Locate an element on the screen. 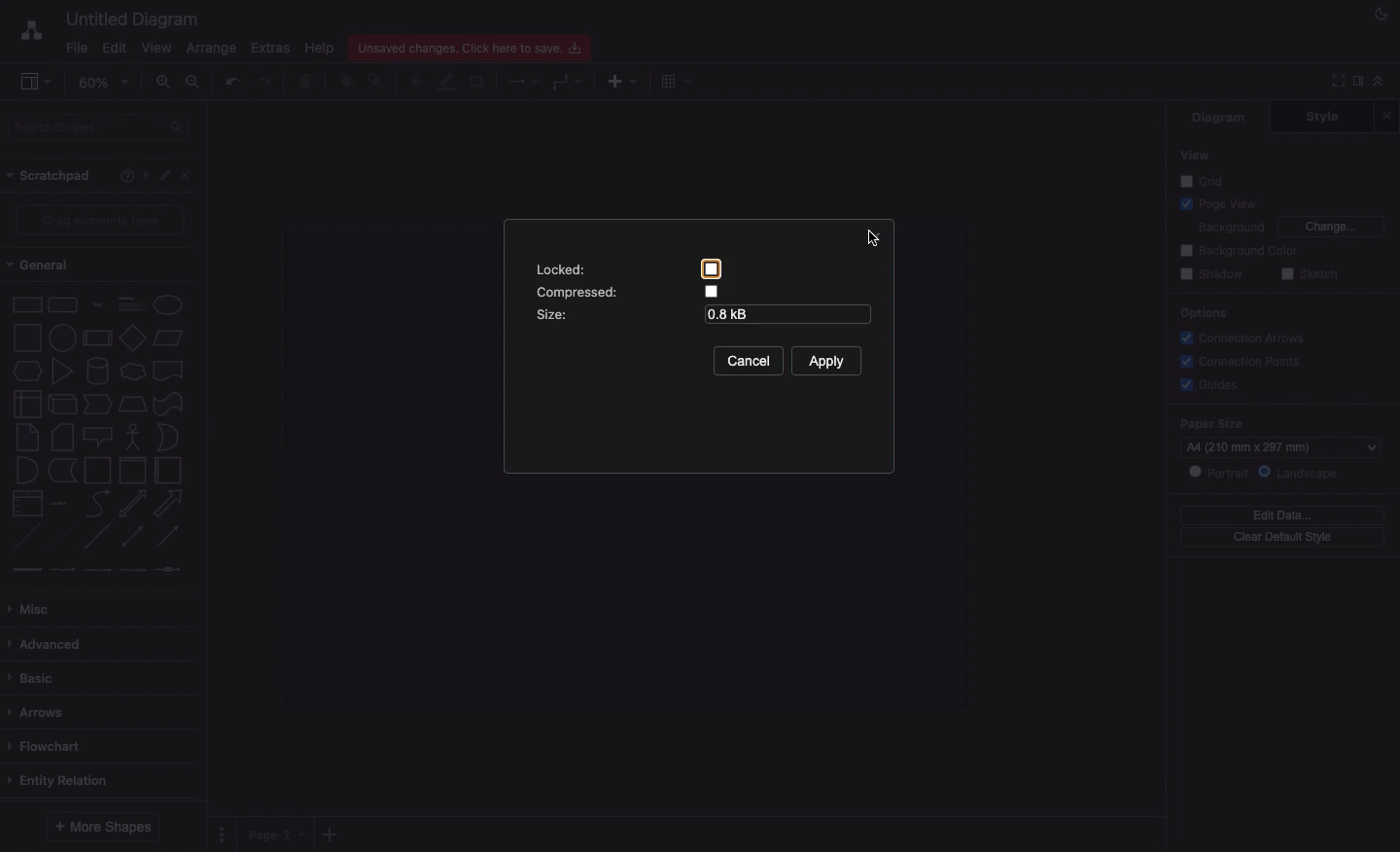 Image resolution: width=1400 pixels, height=852 pixels. Sidebar is located at coordinates (28, 79).